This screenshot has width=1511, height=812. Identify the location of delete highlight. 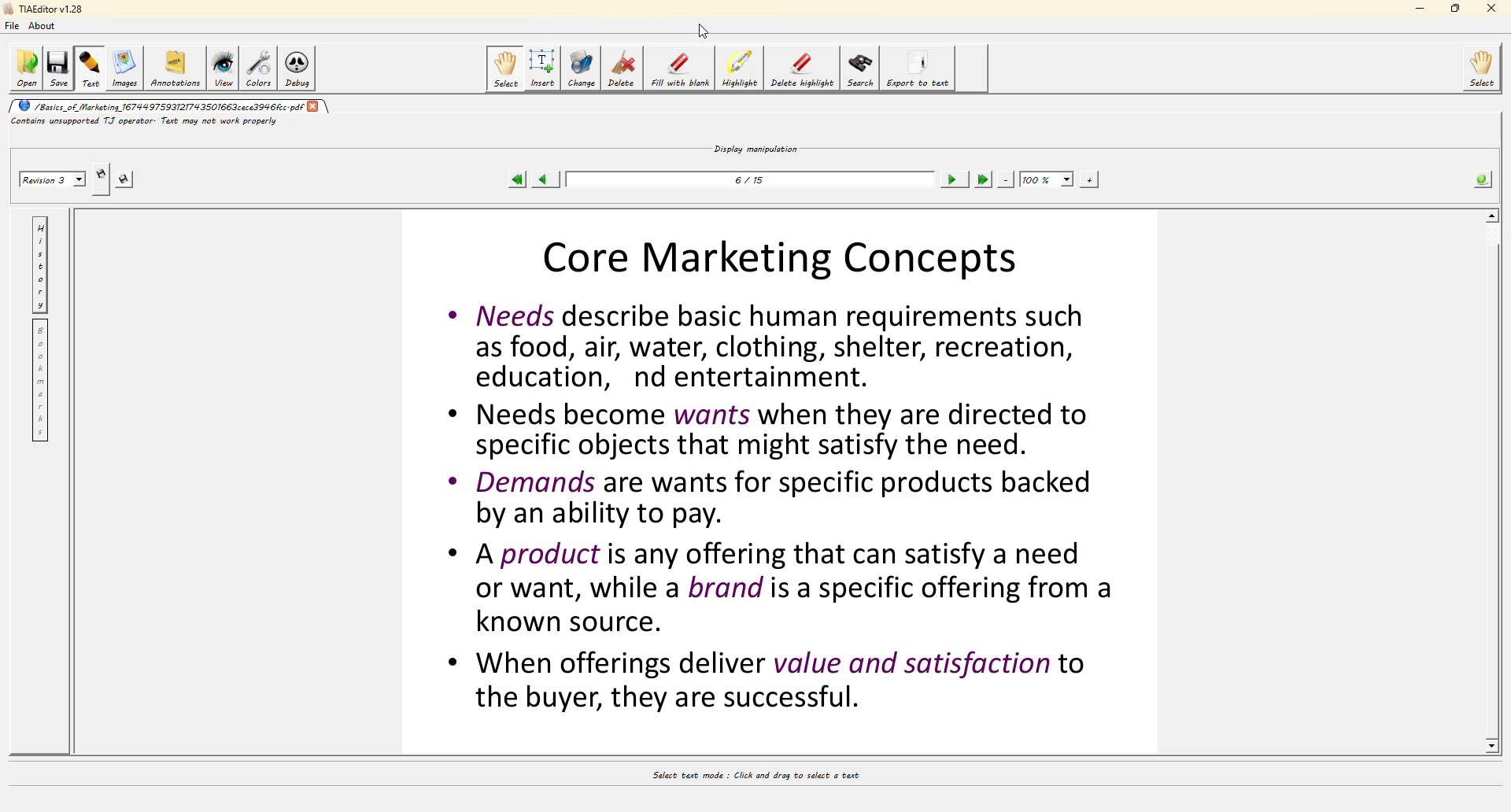
(800, 66).